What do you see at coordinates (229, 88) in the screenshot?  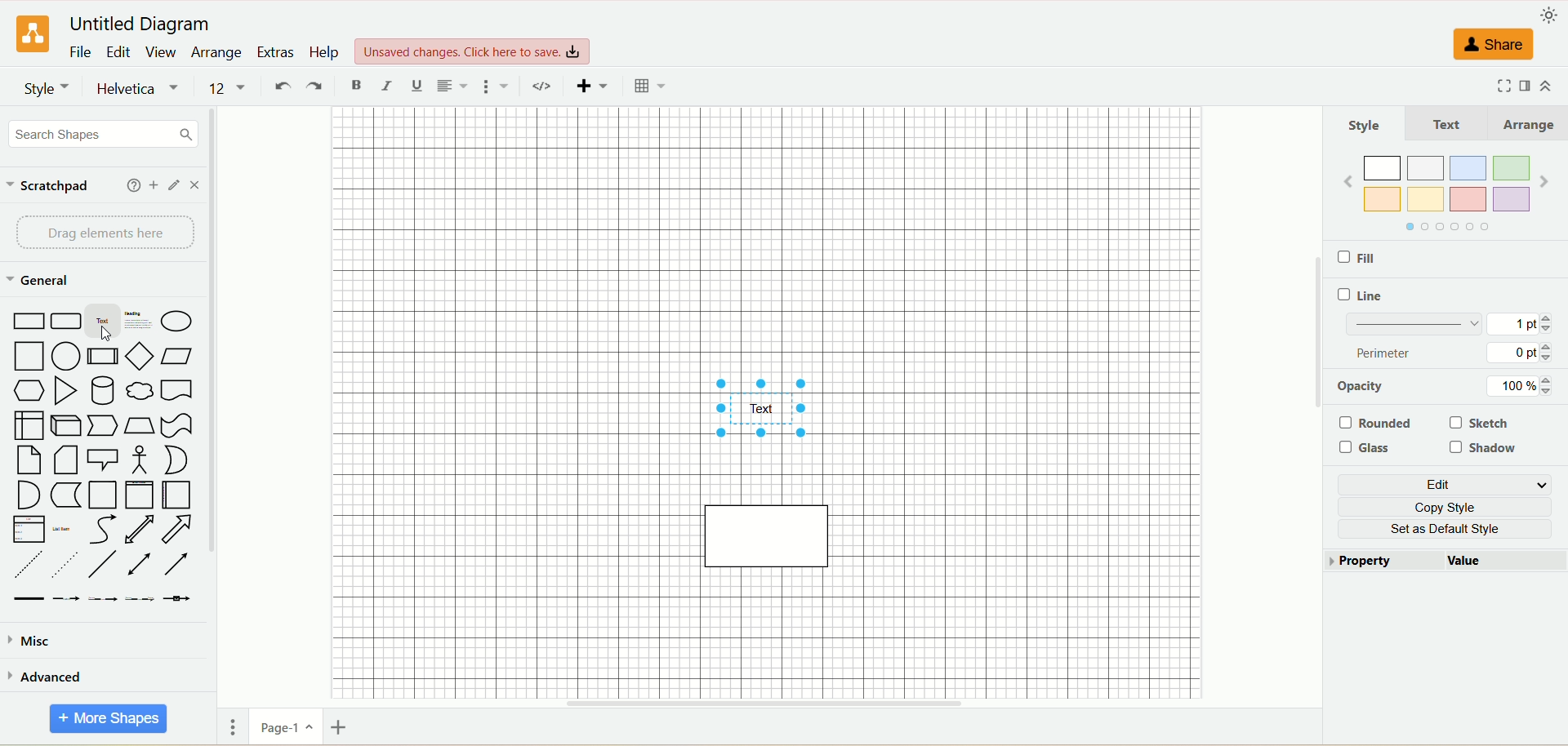 I see `font size` at bounding box center [229, 88].